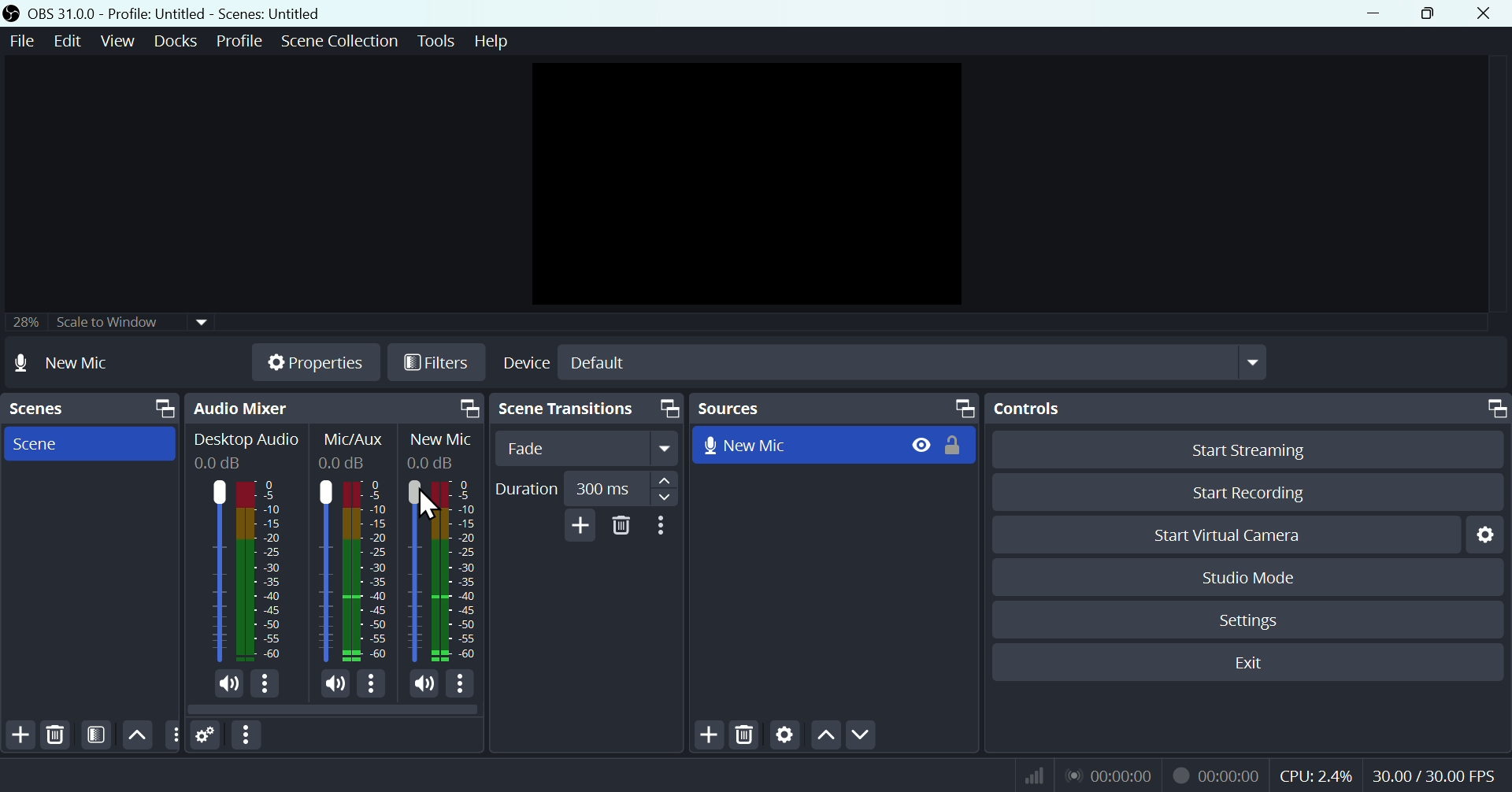  I want to click on OBS 31.0 .0 profile: untitled scenes: untitled, so click(184, 13).